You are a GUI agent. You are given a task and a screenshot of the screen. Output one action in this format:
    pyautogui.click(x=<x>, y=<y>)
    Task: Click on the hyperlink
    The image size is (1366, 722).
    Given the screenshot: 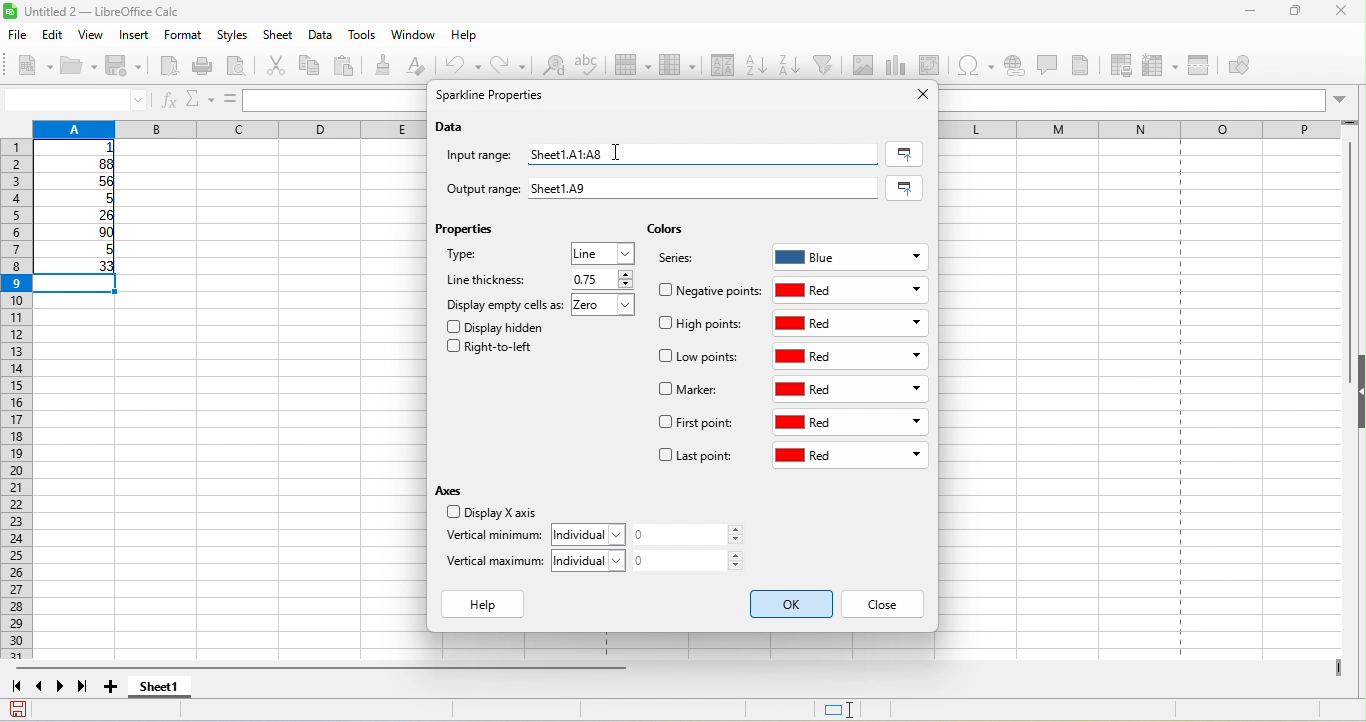 What is the action you would take?
    pyautogui.click(x=1018, y=68)
    